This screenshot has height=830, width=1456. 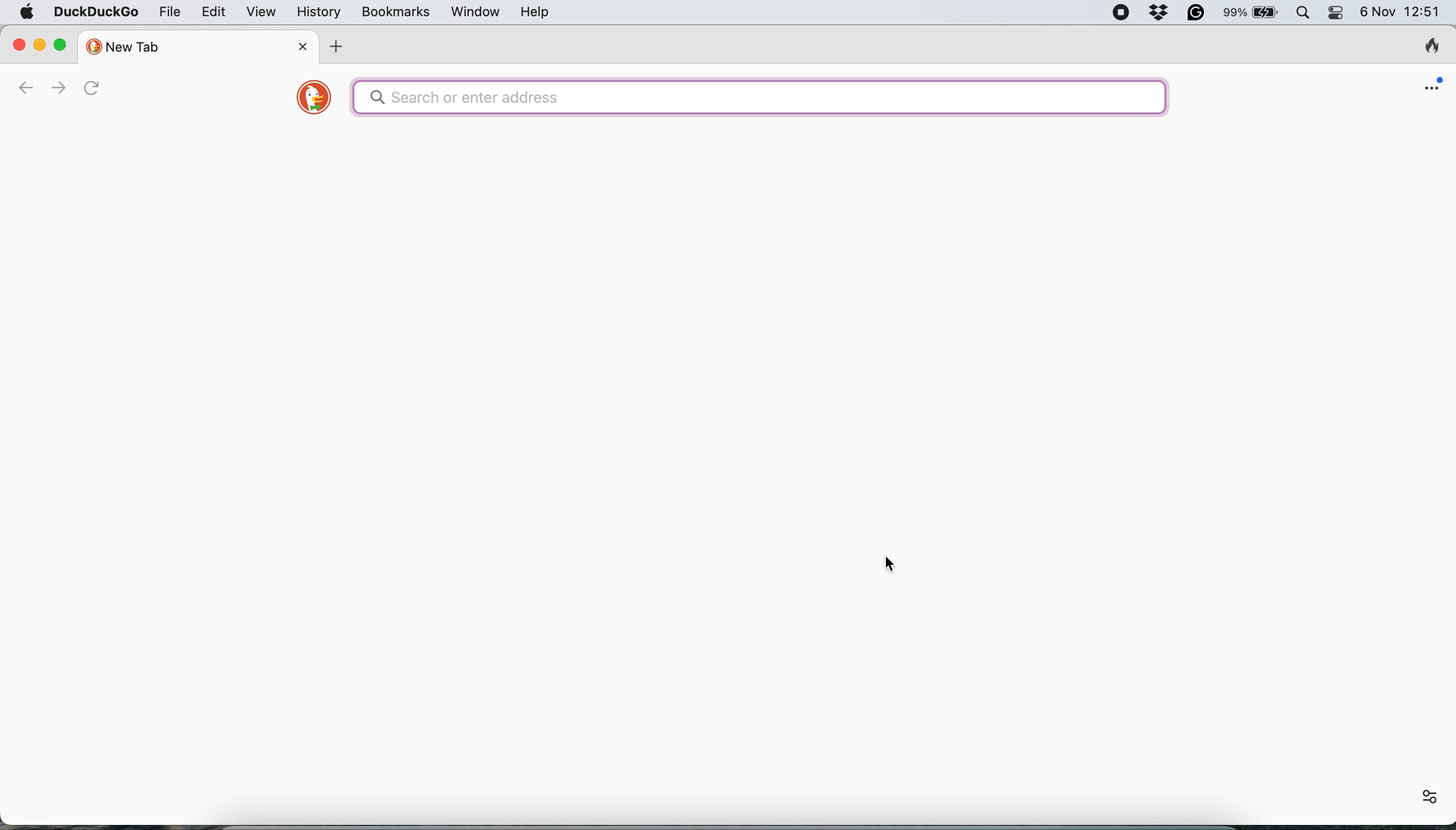 What do you see at coordinates (62, 88) in the screenshot?
I see `go forward` at bounding box center [62, 88].